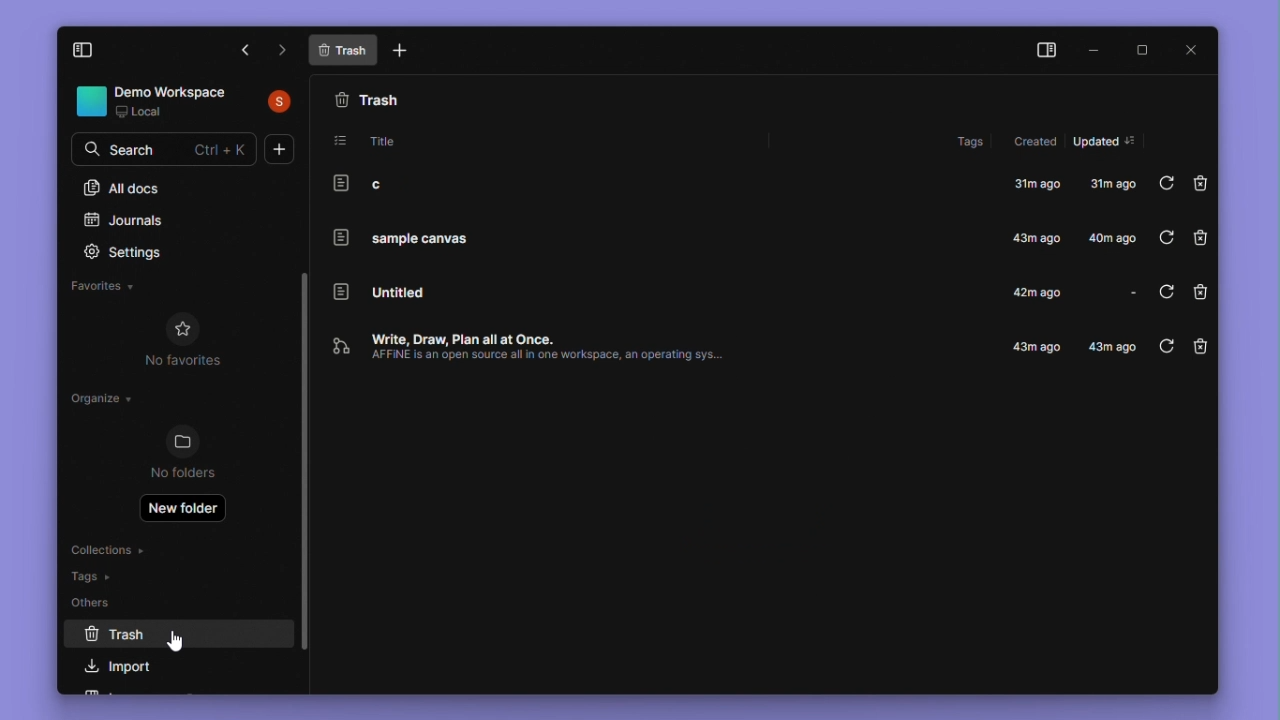 The width and height of the screenshot is (1280, 720). What do you see at coordinates (182, 343) in the screenshot?
I see `No favourites` at bounding box center [182, 343].